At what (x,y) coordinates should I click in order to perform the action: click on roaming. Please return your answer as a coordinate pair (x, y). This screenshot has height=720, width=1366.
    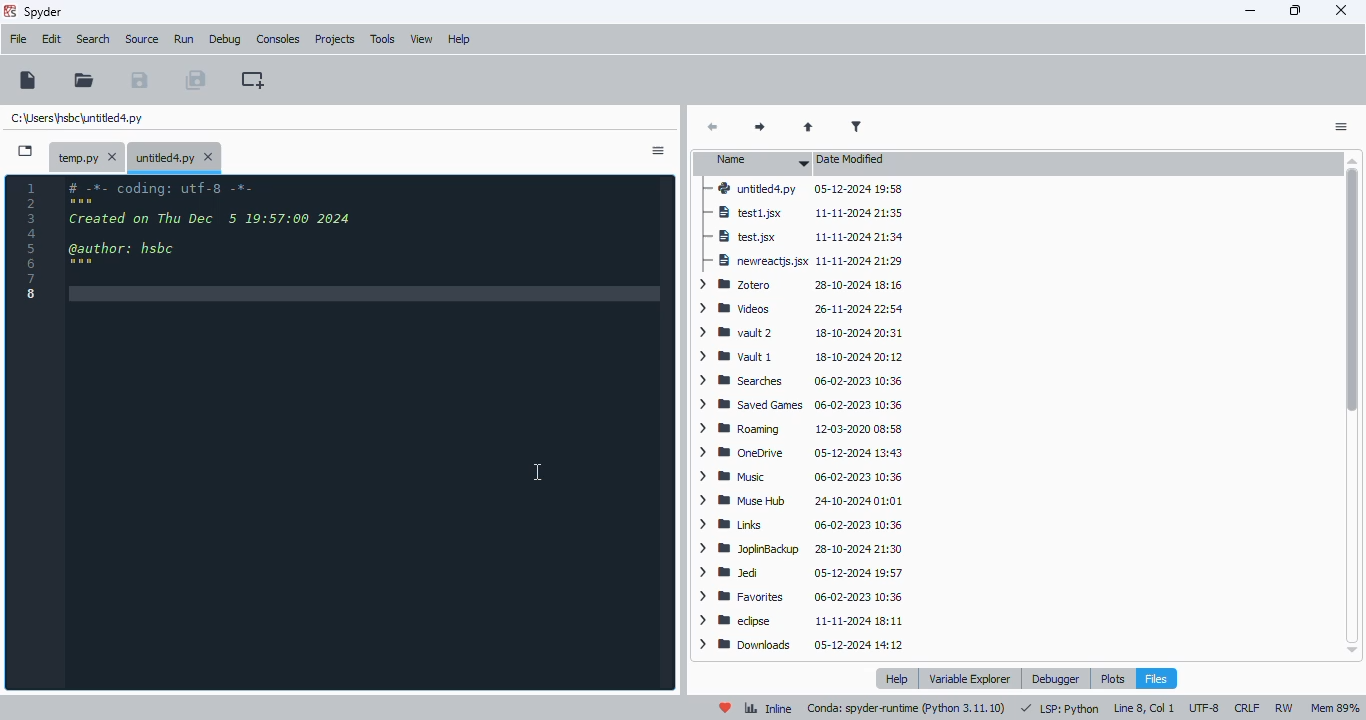
    Looking at the image, I should click on (746, 426).